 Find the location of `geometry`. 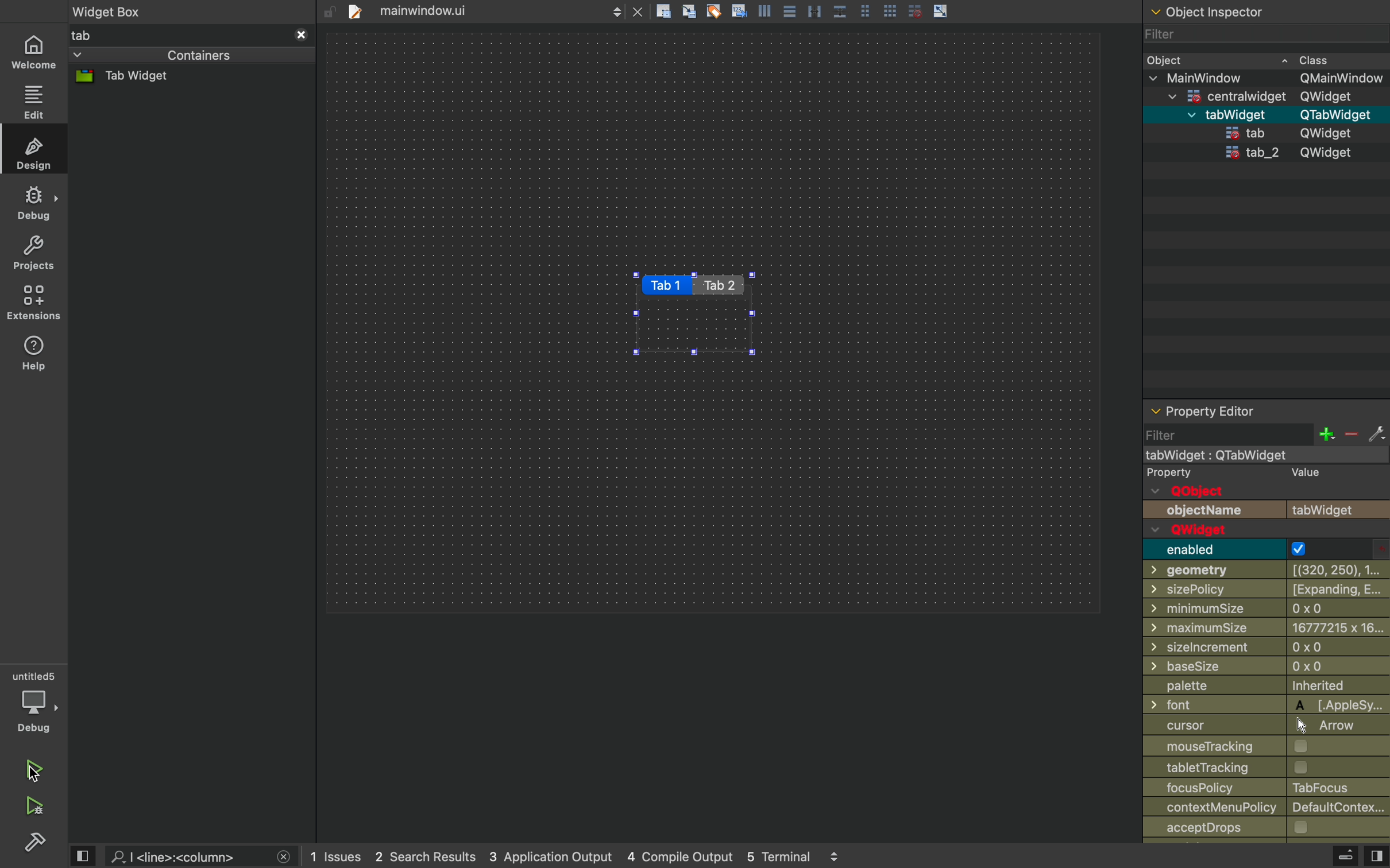

geometry is located at coordinates (1264, 571).